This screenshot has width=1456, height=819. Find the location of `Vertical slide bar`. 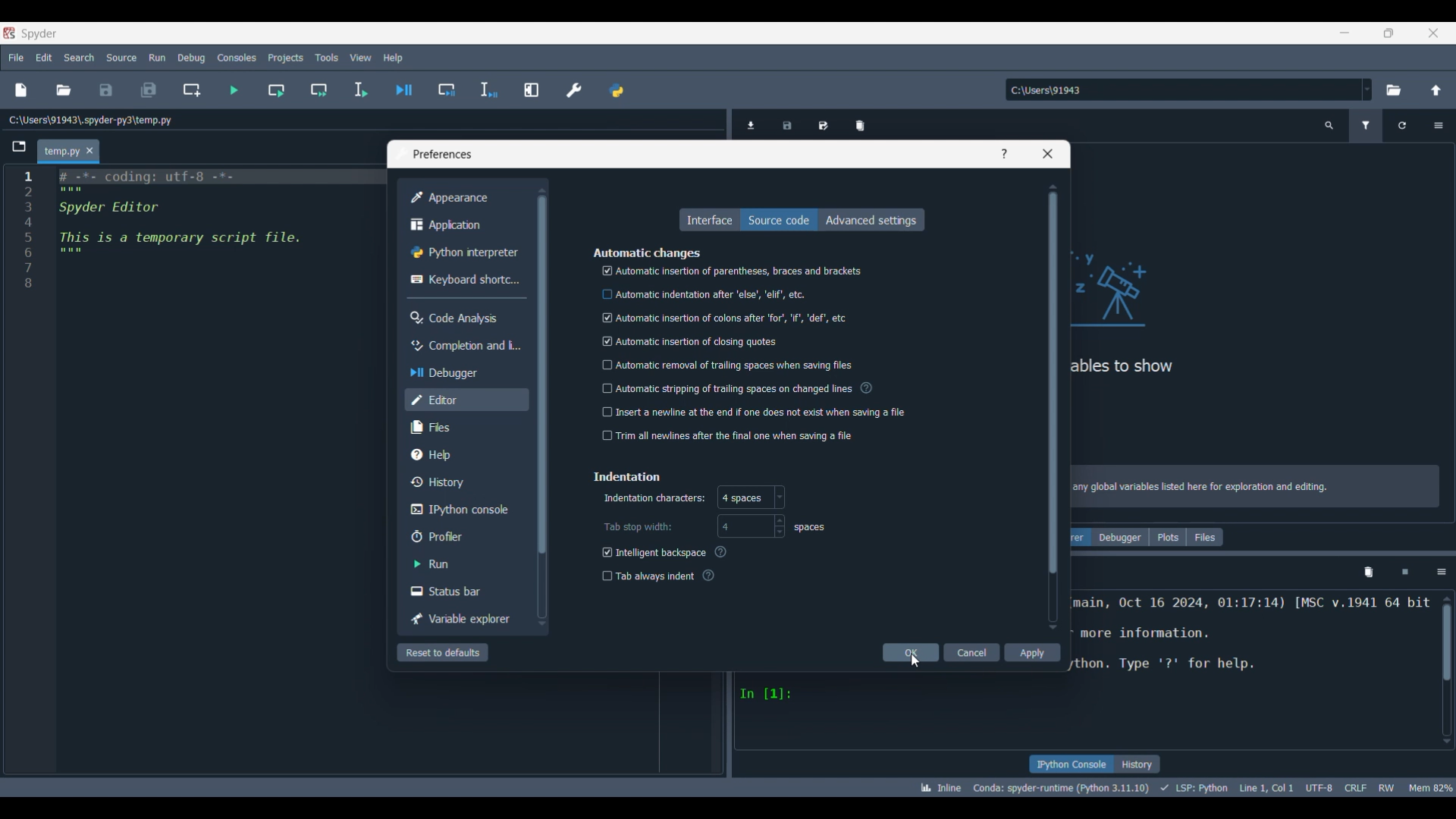

Vertical slide bar is located at coordinates (1053, 407).